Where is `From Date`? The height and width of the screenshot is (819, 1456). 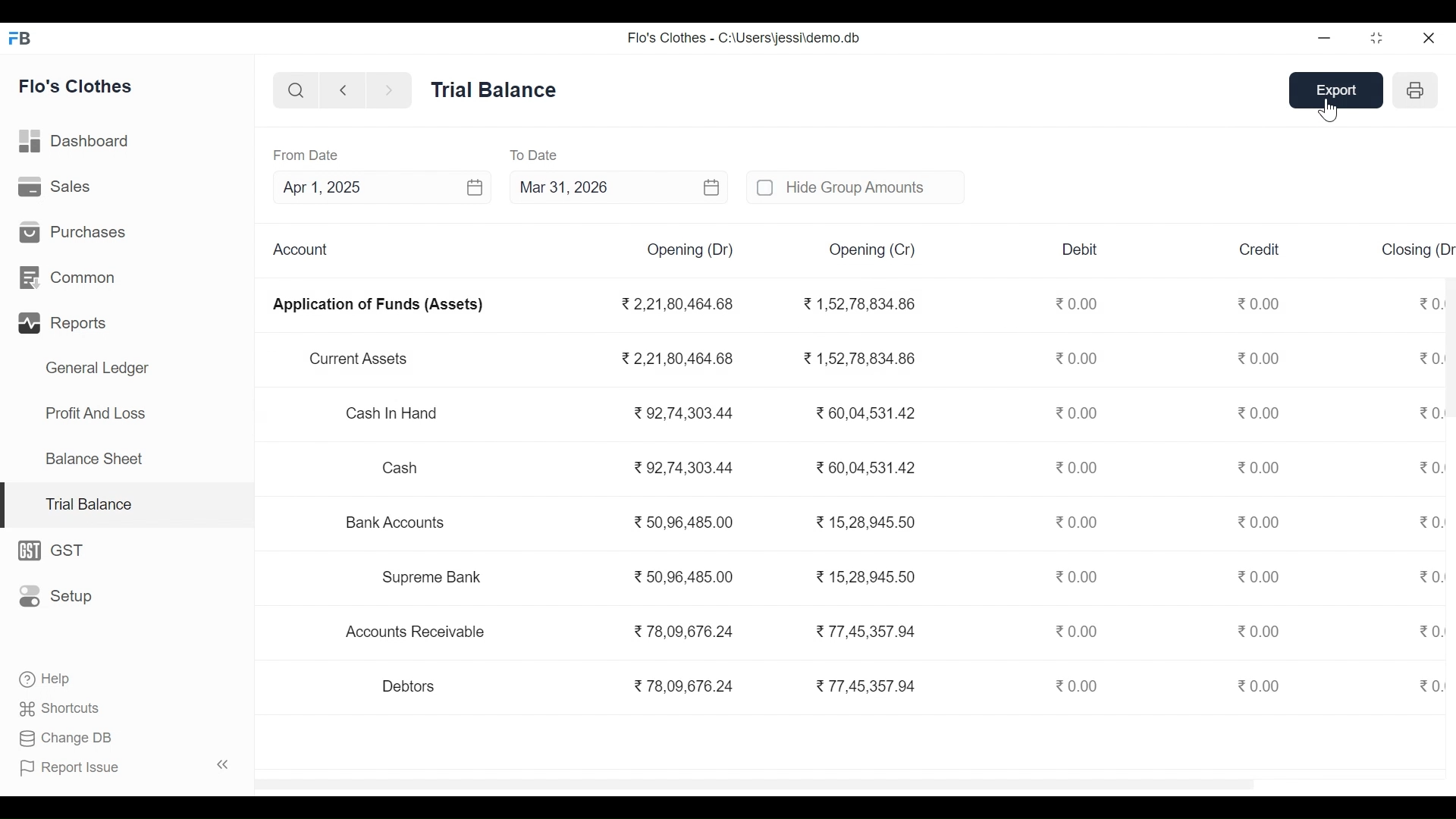 From Date is located at coordinates (306, 155).